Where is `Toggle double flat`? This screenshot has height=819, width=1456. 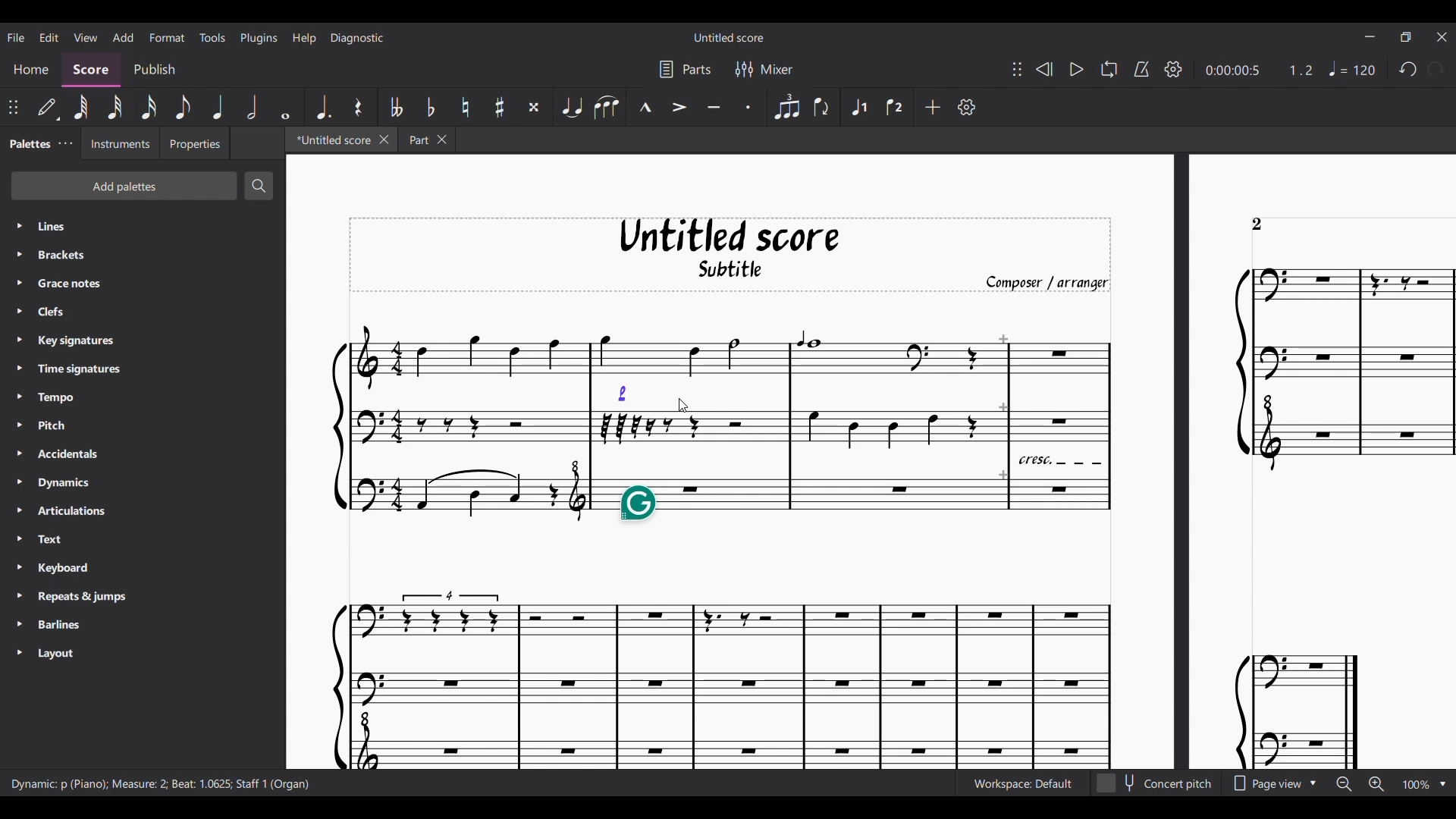
Toggle double flat is located at coordinates (394, 107).